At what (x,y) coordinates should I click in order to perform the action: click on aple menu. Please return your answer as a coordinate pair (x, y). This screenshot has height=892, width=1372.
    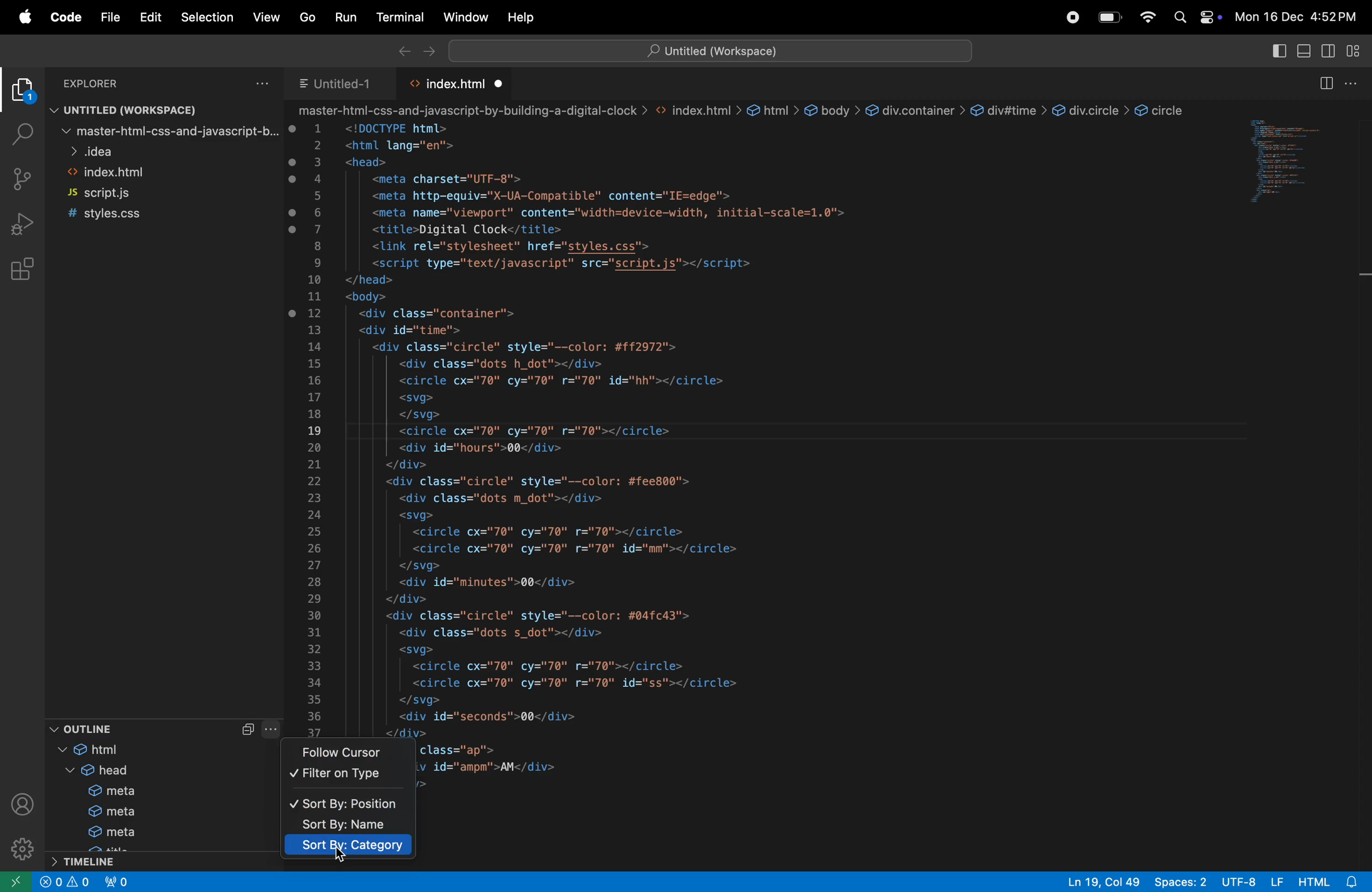
    Looking at the image, I should click on (24, 17).